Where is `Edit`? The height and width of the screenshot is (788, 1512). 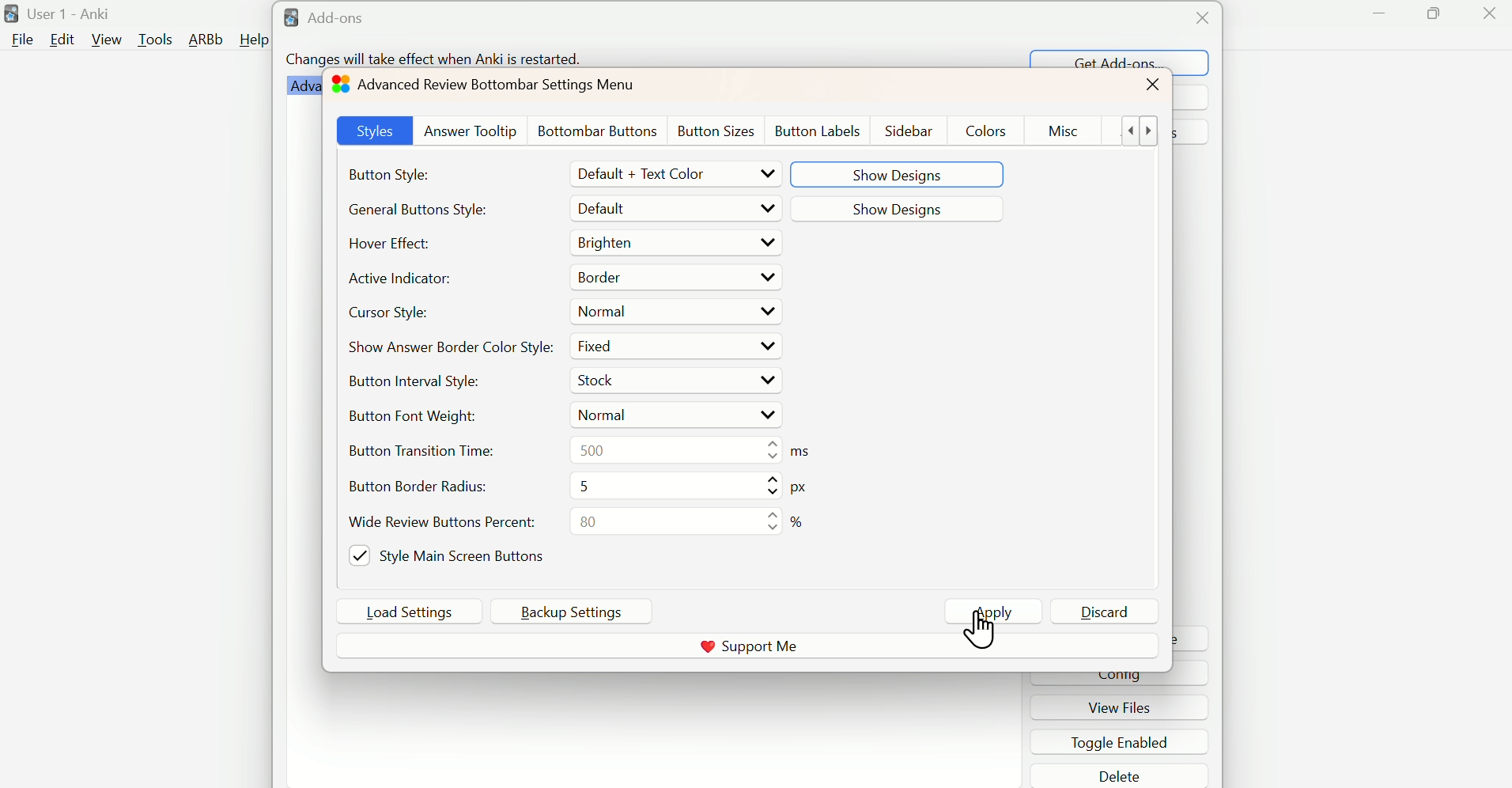
Edit is located at coordinates (61, 40).